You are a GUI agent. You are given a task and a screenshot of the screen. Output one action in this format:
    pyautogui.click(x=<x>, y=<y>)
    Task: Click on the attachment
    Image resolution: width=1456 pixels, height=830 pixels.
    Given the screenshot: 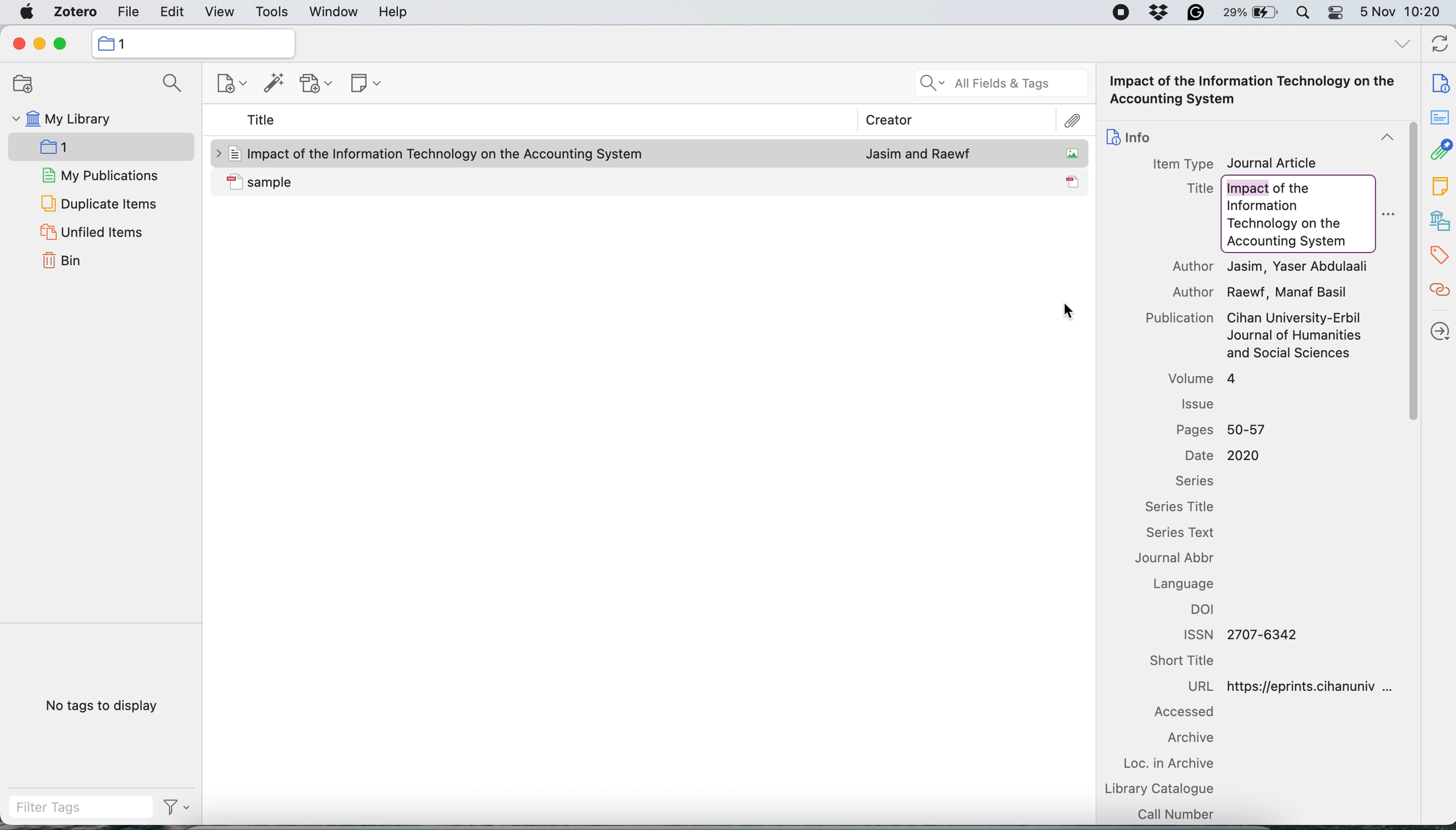 What is the action you would take?
    pyautogui.click(x=1072, y=121)
    